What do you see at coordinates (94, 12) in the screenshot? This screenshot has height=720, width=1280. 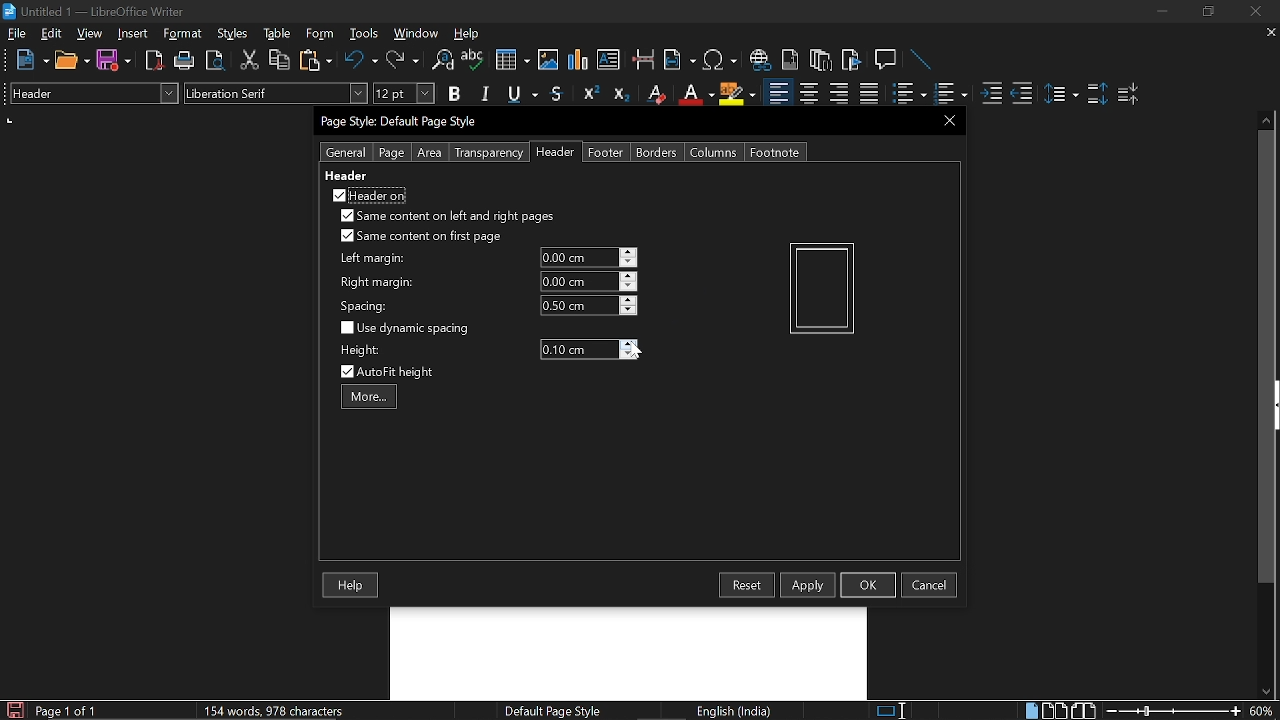 I see `Current window` at bounding box center [94, 12].